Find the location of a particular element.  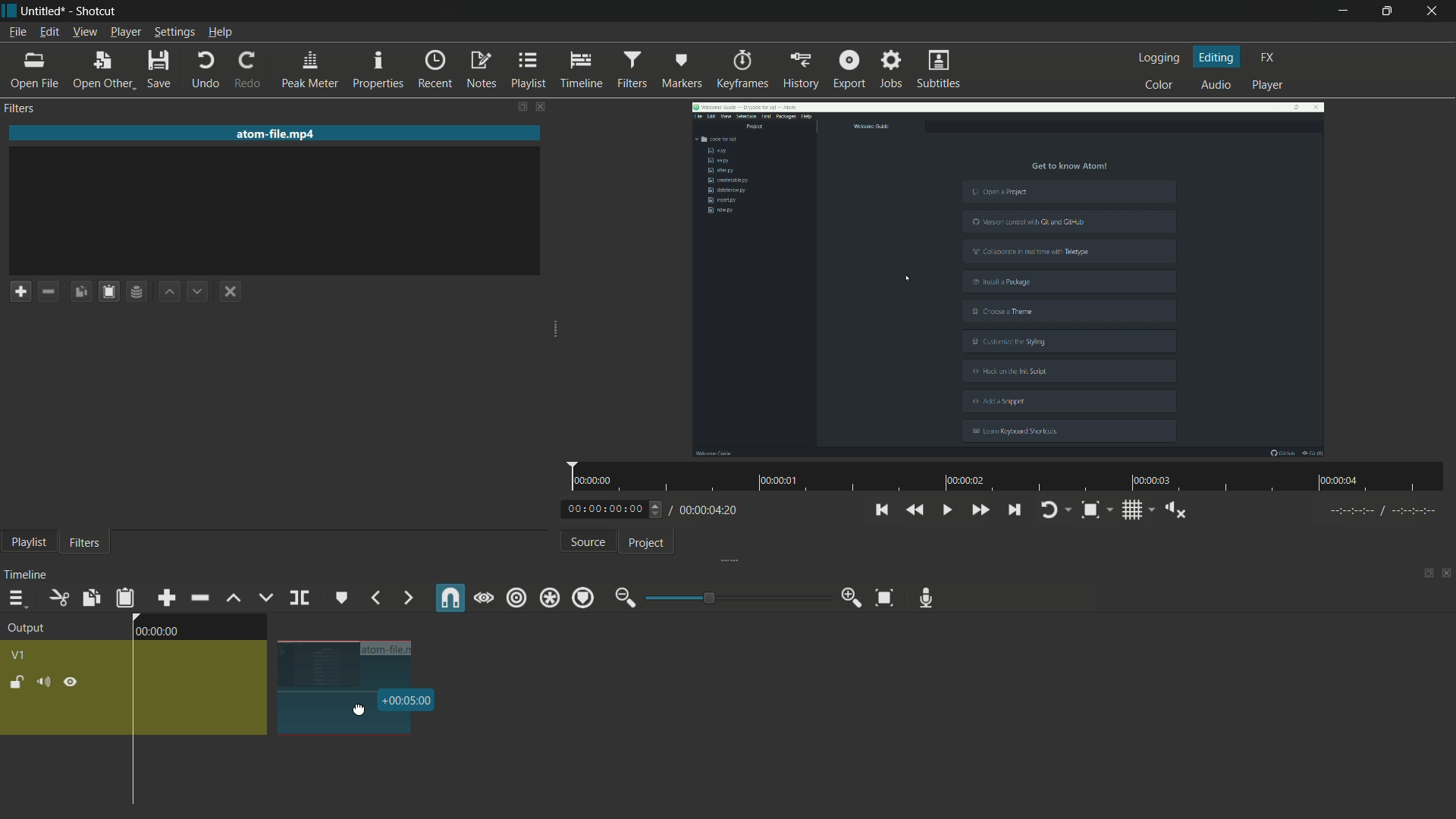

overwrite is located at coordinates (263, 598).